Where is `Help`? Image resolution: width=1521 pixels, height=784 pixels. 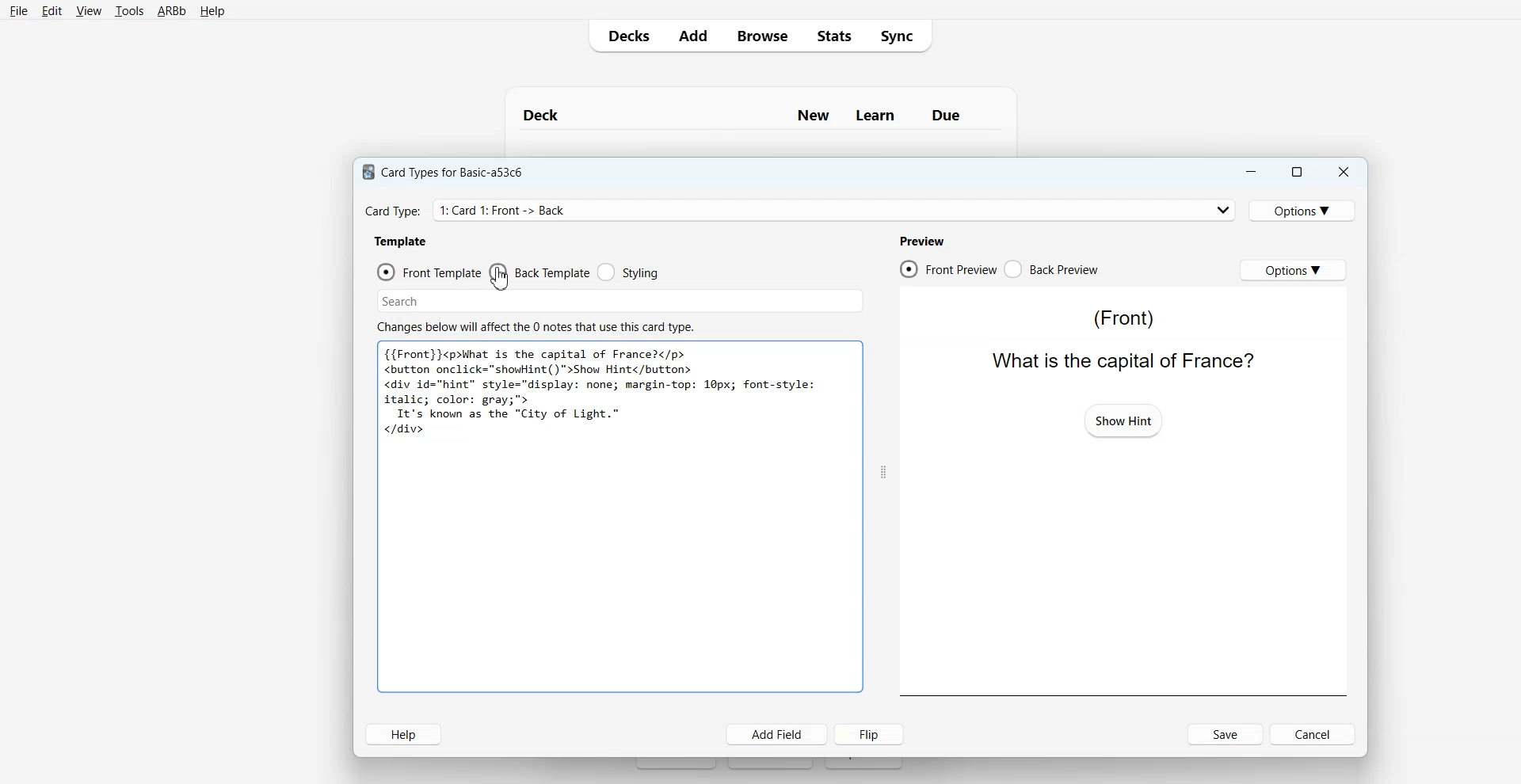 Help is located at coordinates (212, 12).